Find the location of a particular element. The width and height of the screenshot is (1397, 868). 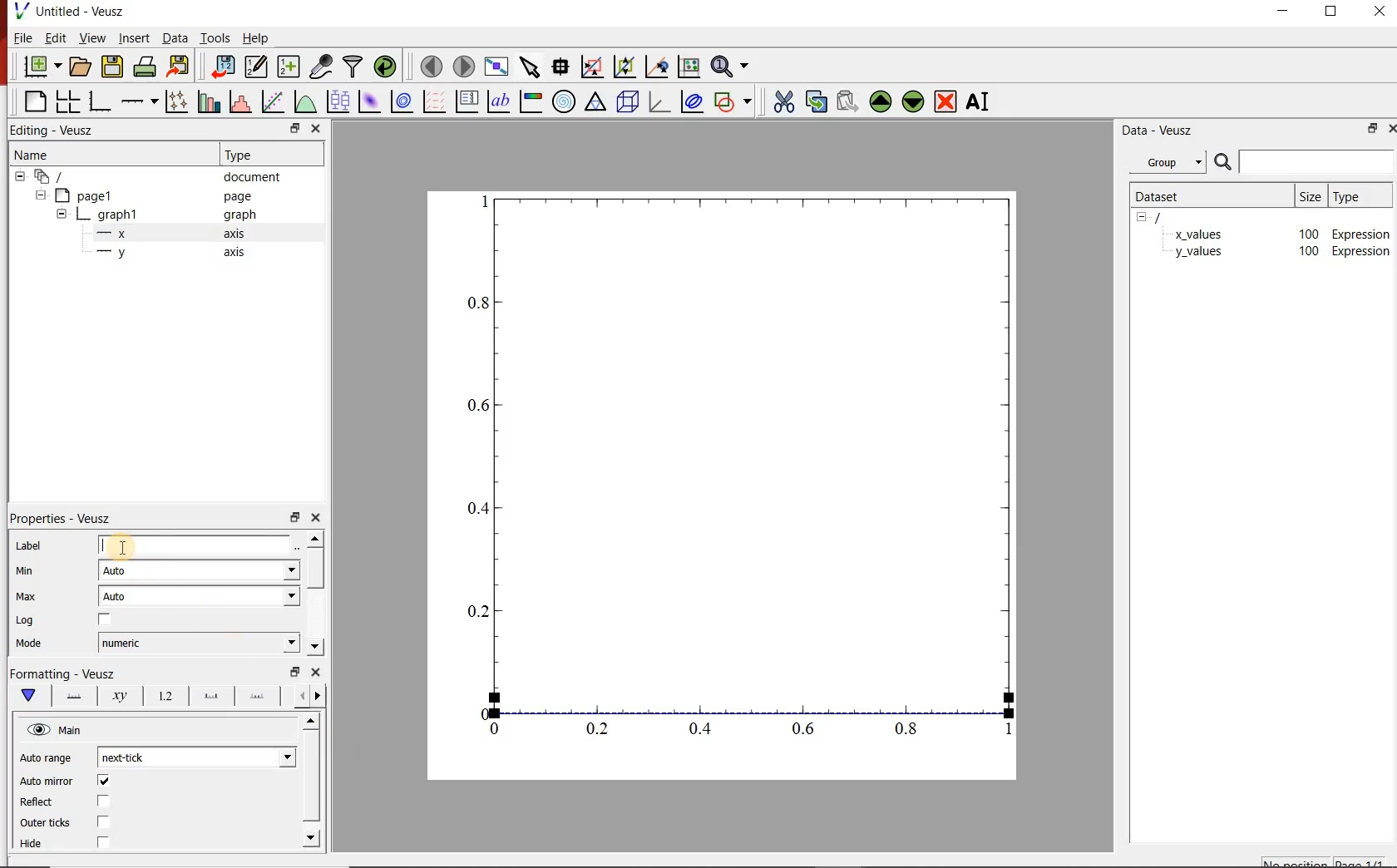

plot vector field is located at coordinates (434, 101).